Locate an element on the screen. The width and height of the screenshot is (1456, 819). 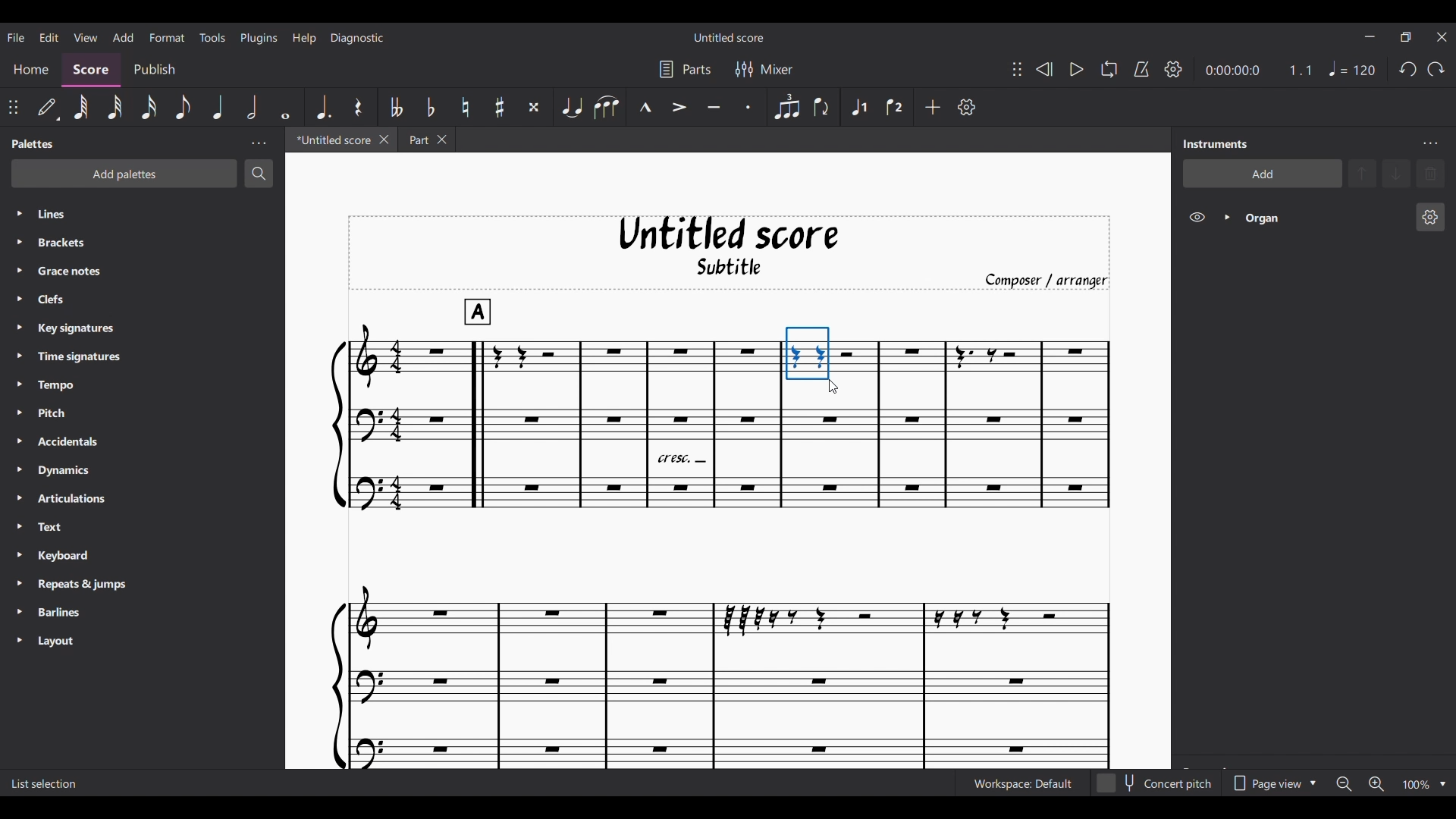
Toggle flat is located at coordinates (430, 107).